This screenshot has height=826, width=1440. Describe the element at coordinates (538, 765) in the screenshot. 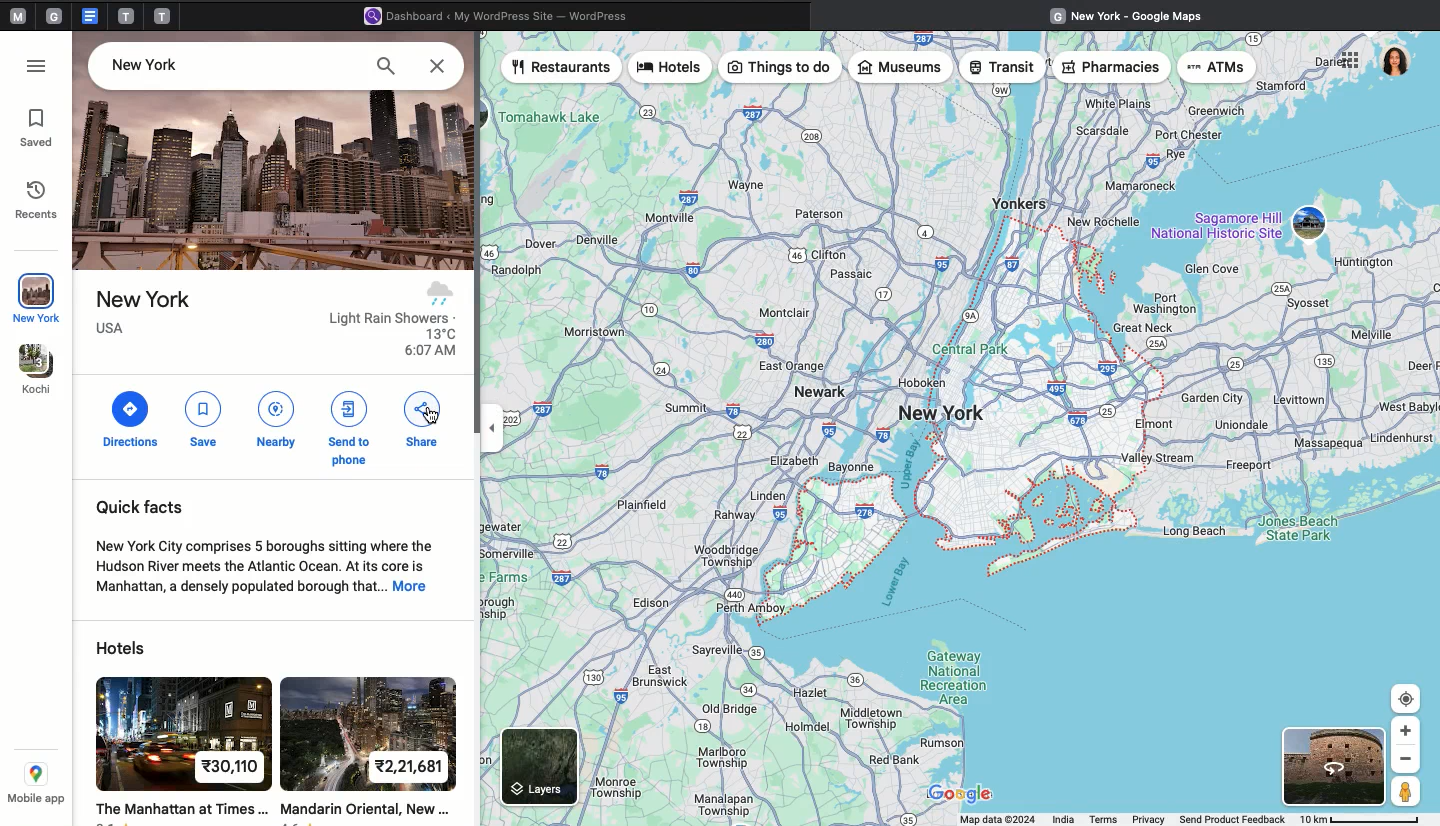

I see `Layers` at that location.